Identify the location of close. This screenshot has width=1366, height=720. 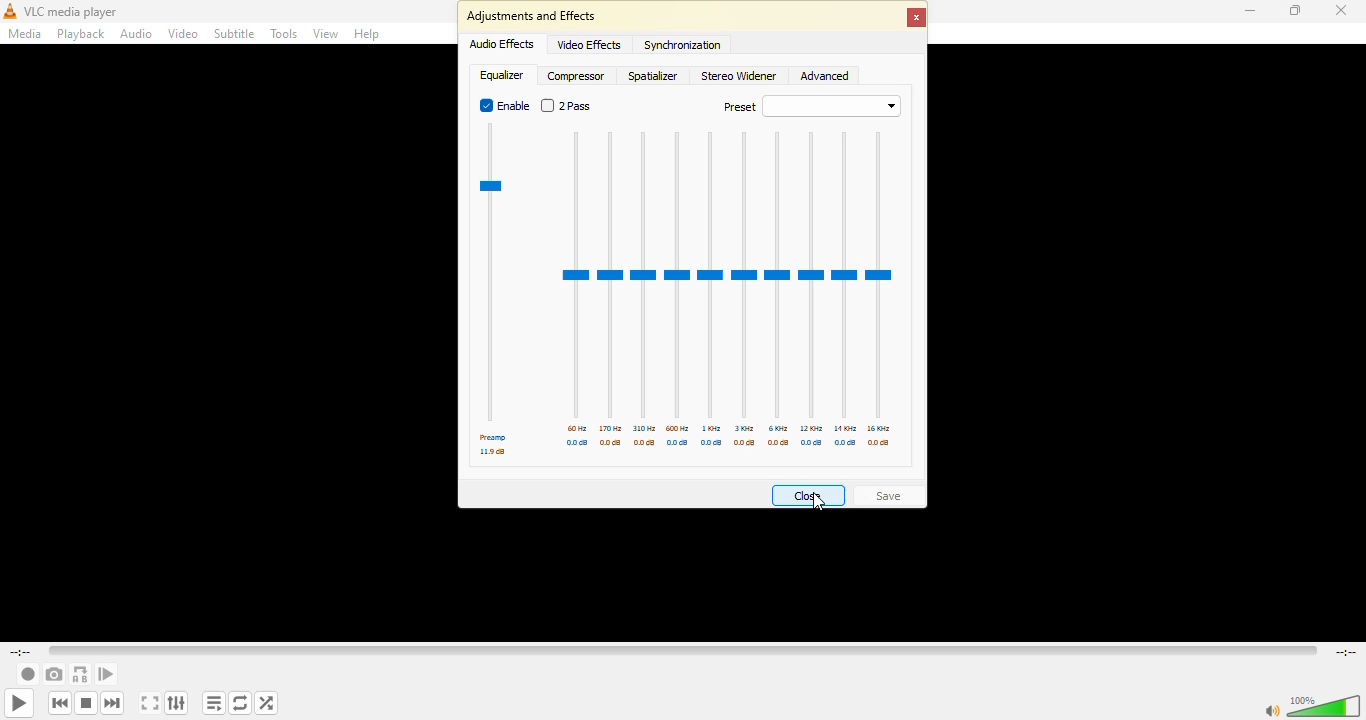
(918, 17).